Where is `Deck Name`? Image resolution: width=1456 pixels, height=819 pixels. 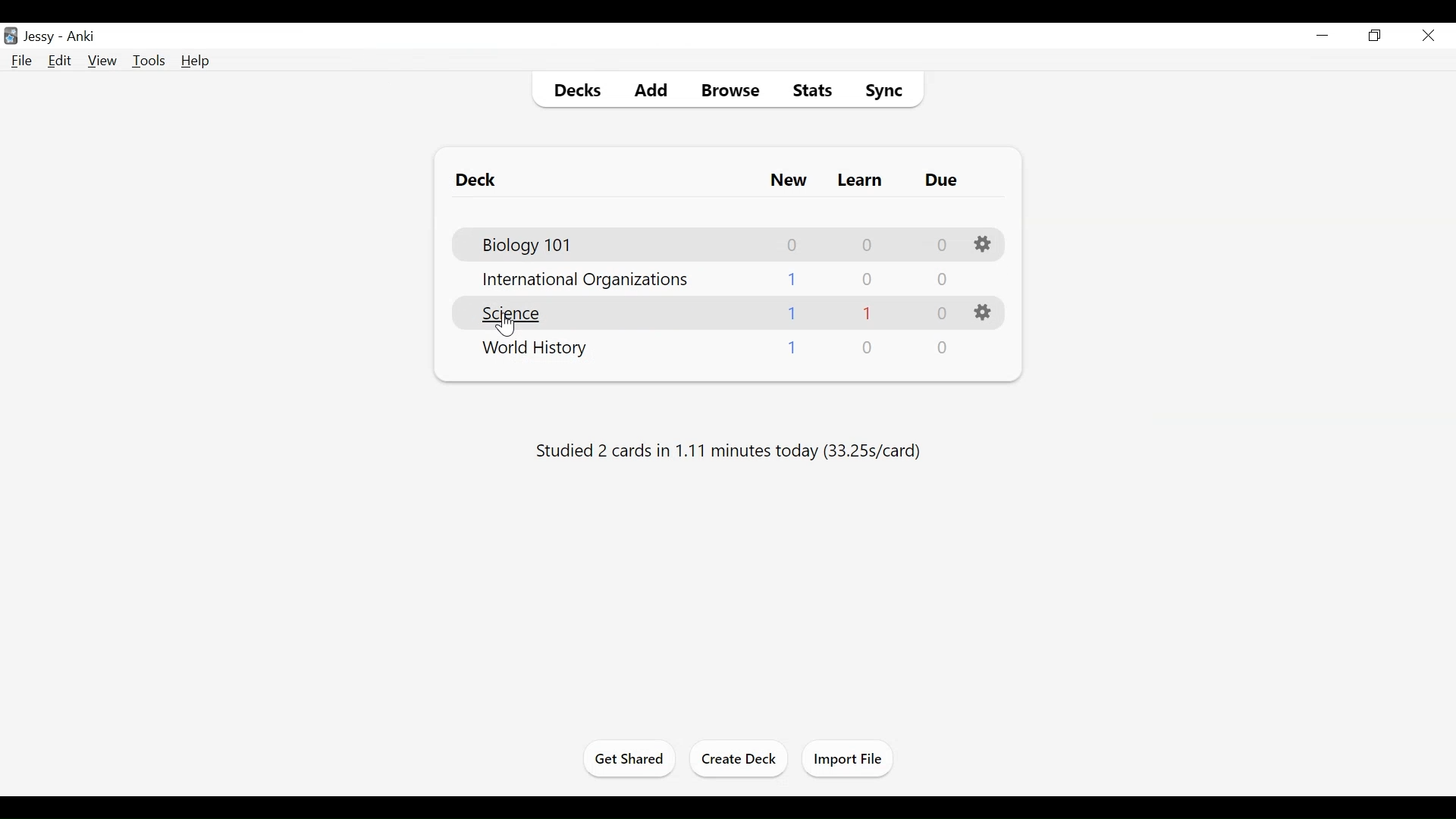
Deck Name is located at coordinates (531, 246).